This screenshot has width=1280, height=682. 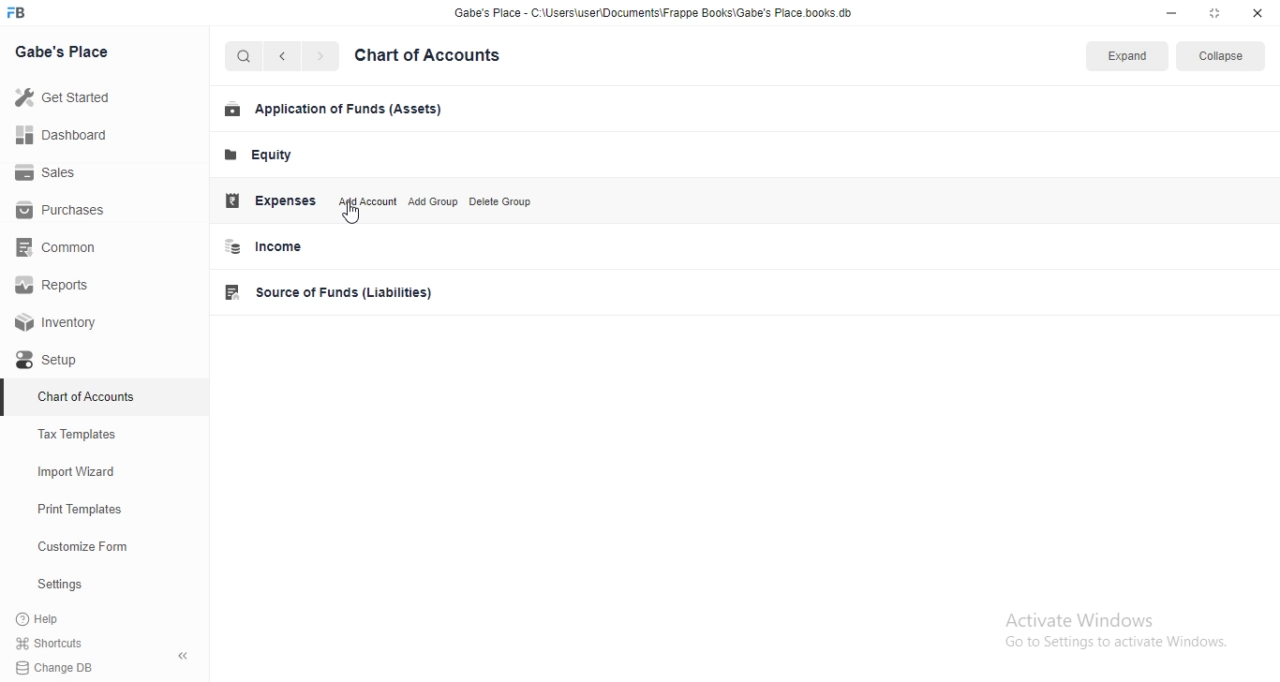 I want to click on Expenses, so click(x=272, y=200).